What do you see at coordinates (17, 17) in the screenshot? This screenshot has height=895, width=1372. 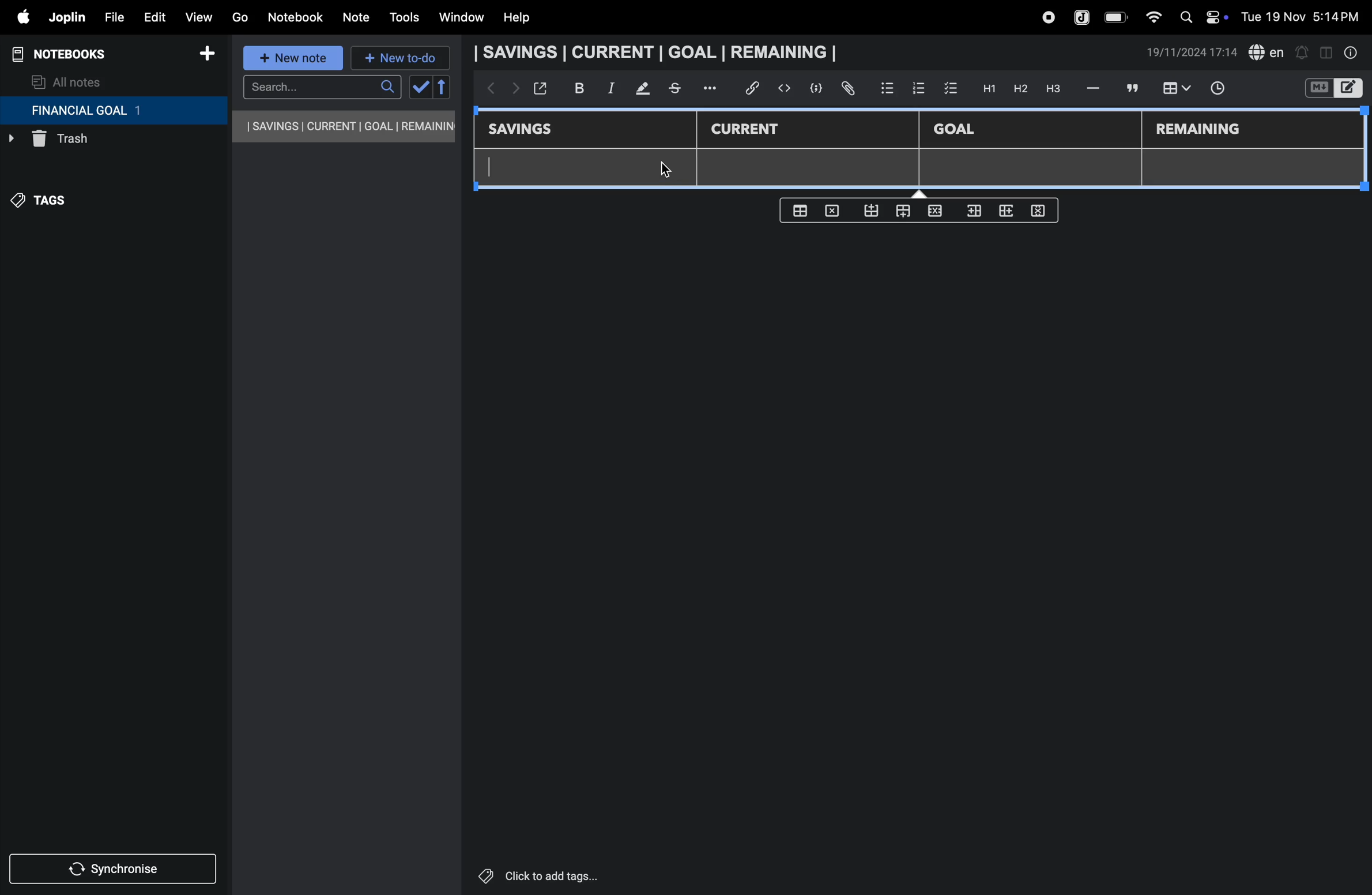 I see `apple menu` at bounding box center [17, 17].